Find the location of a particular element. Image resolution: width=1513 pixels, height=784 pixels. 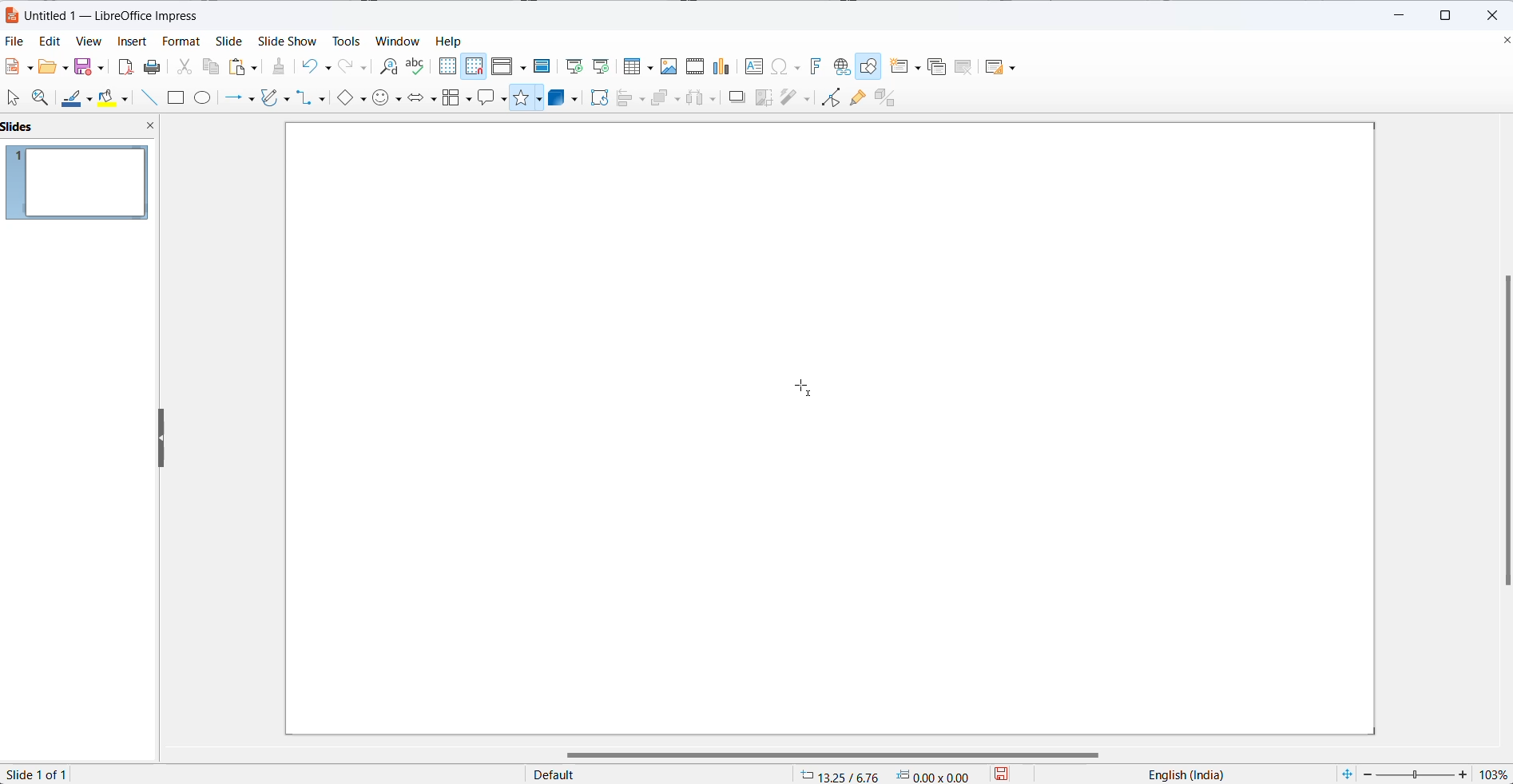

page is located at coordinates (826, 441).